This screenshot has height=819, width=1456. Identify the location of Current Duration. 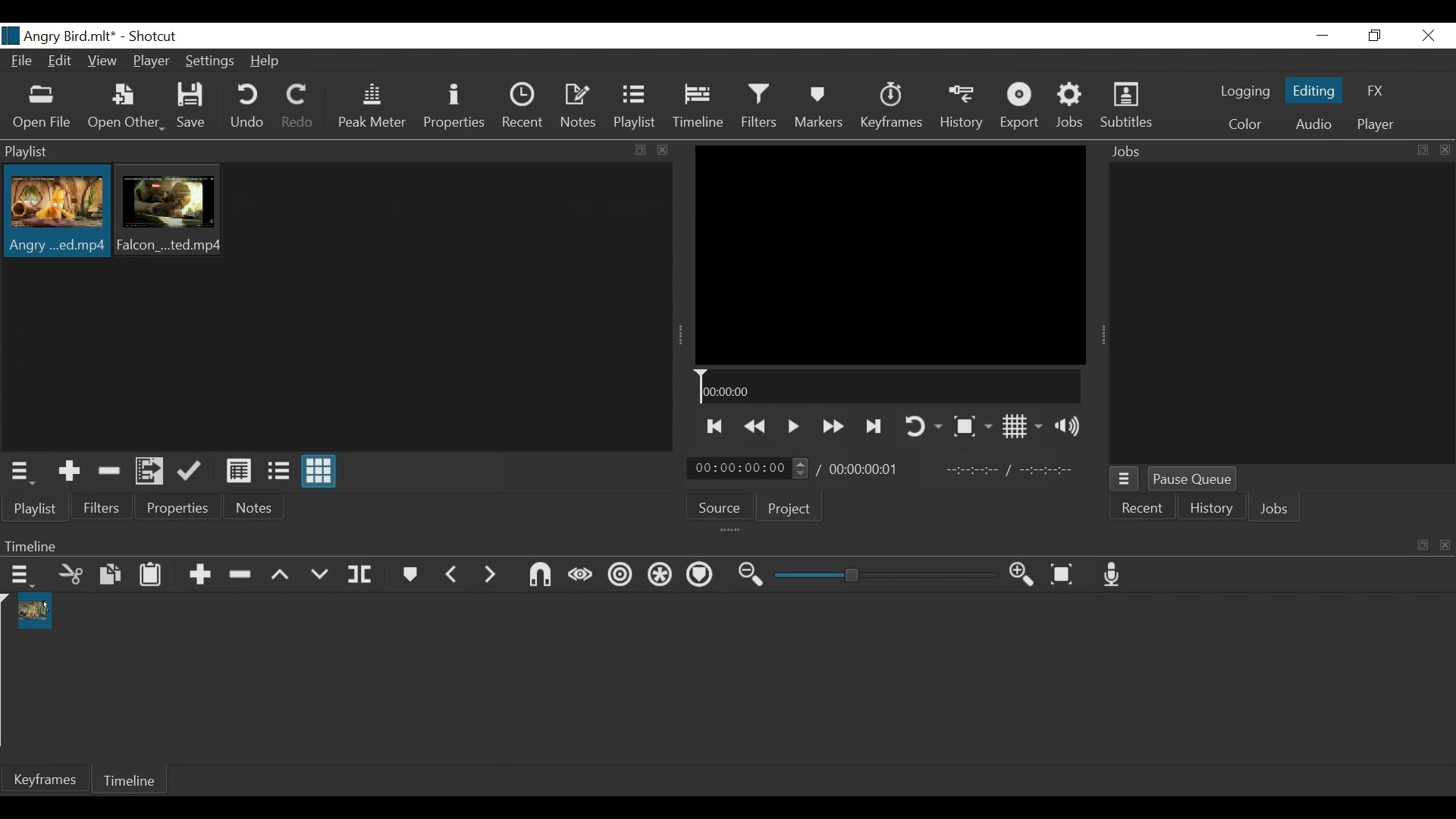
(748, 469).